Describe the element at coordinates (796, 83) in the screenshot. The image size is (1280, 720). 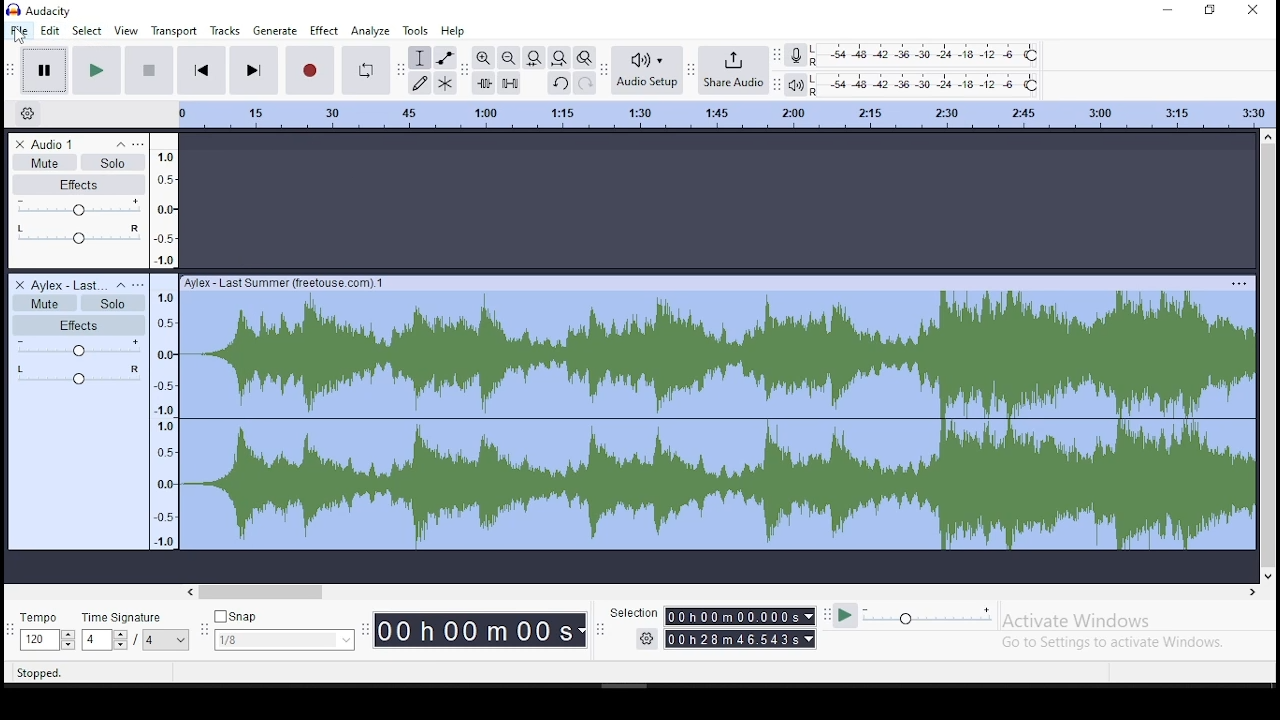
I see `playback meter` at that location.